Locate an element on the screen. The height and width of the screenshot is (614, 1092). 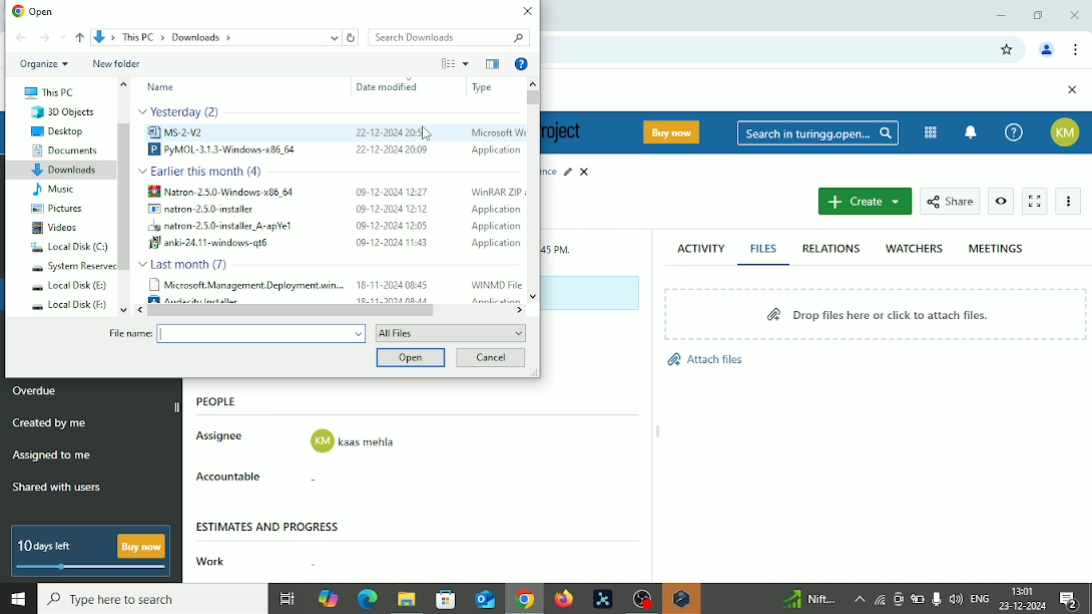
3D Objects is located at coordinates (65, 112).